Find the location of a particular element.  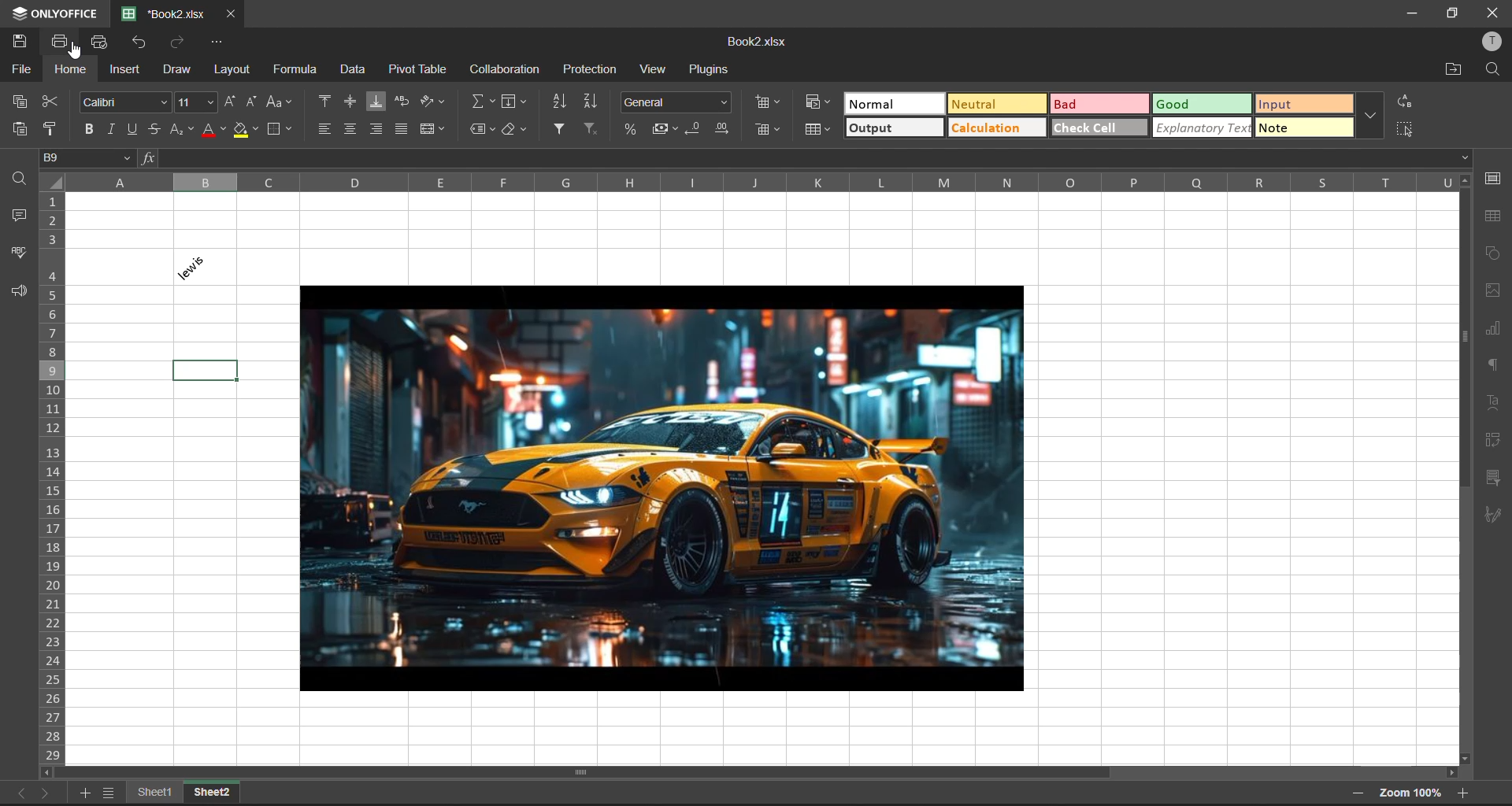

previous is located at coordinates (18, 793).